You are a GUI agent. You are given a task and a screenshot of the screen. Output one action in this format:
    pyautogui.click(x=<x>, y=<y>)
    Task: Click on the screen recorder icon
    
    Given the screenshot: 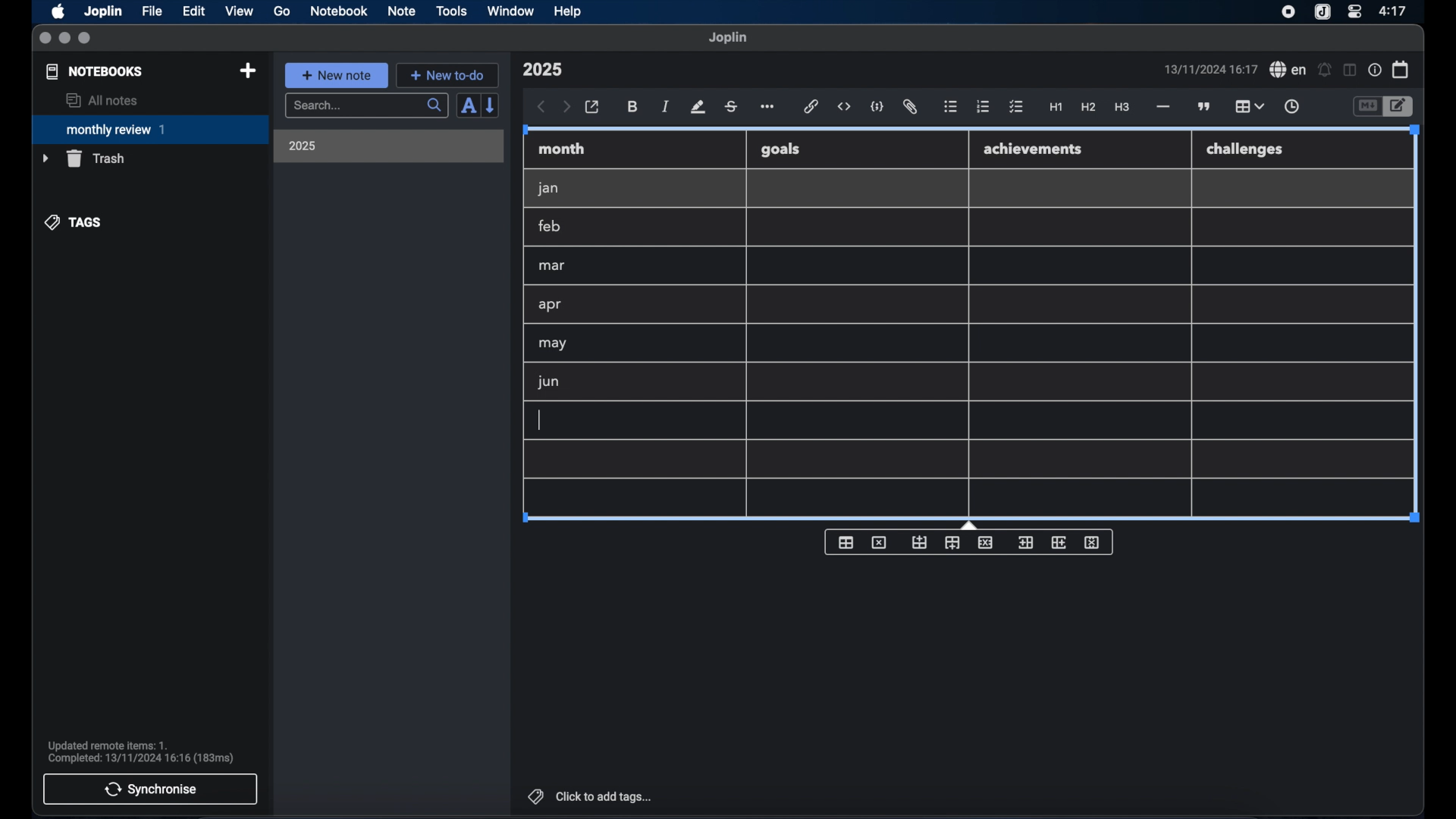 What is the action you would take?
    pyautogui.click(x=1288, y=12)
    